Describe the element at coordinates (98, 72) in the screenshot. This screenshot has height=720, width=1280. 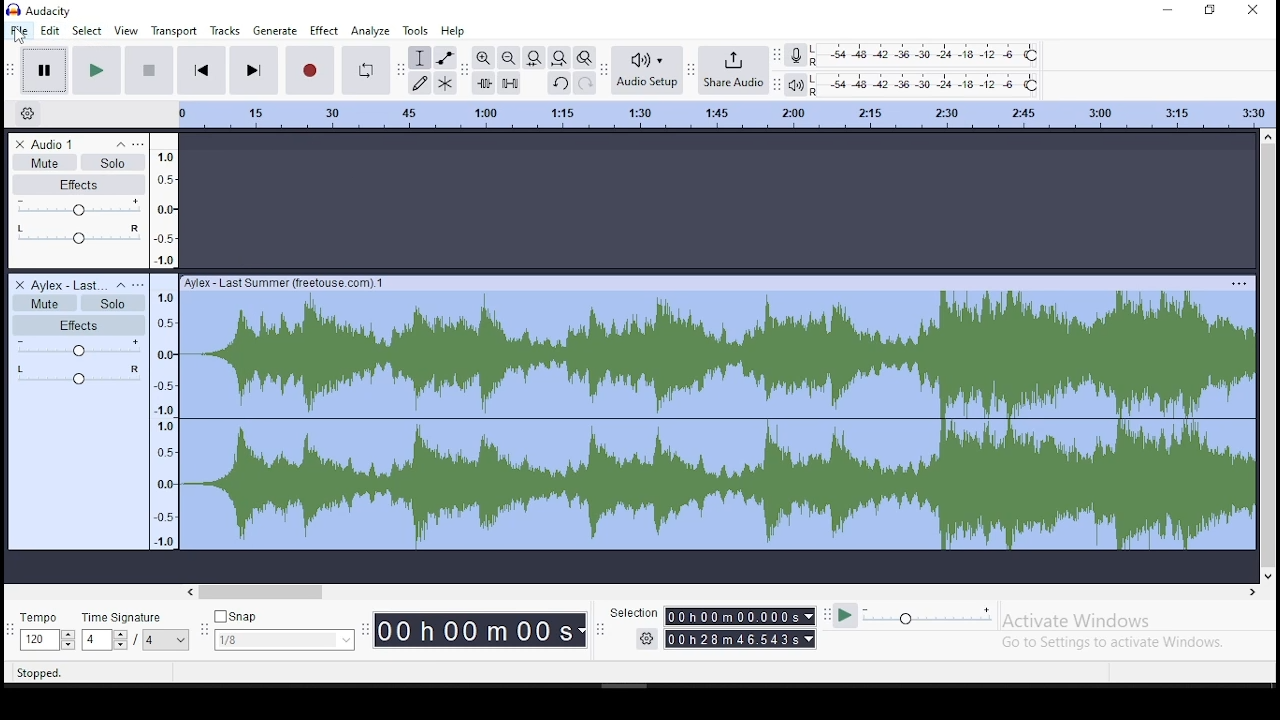
I see `play` at that location.